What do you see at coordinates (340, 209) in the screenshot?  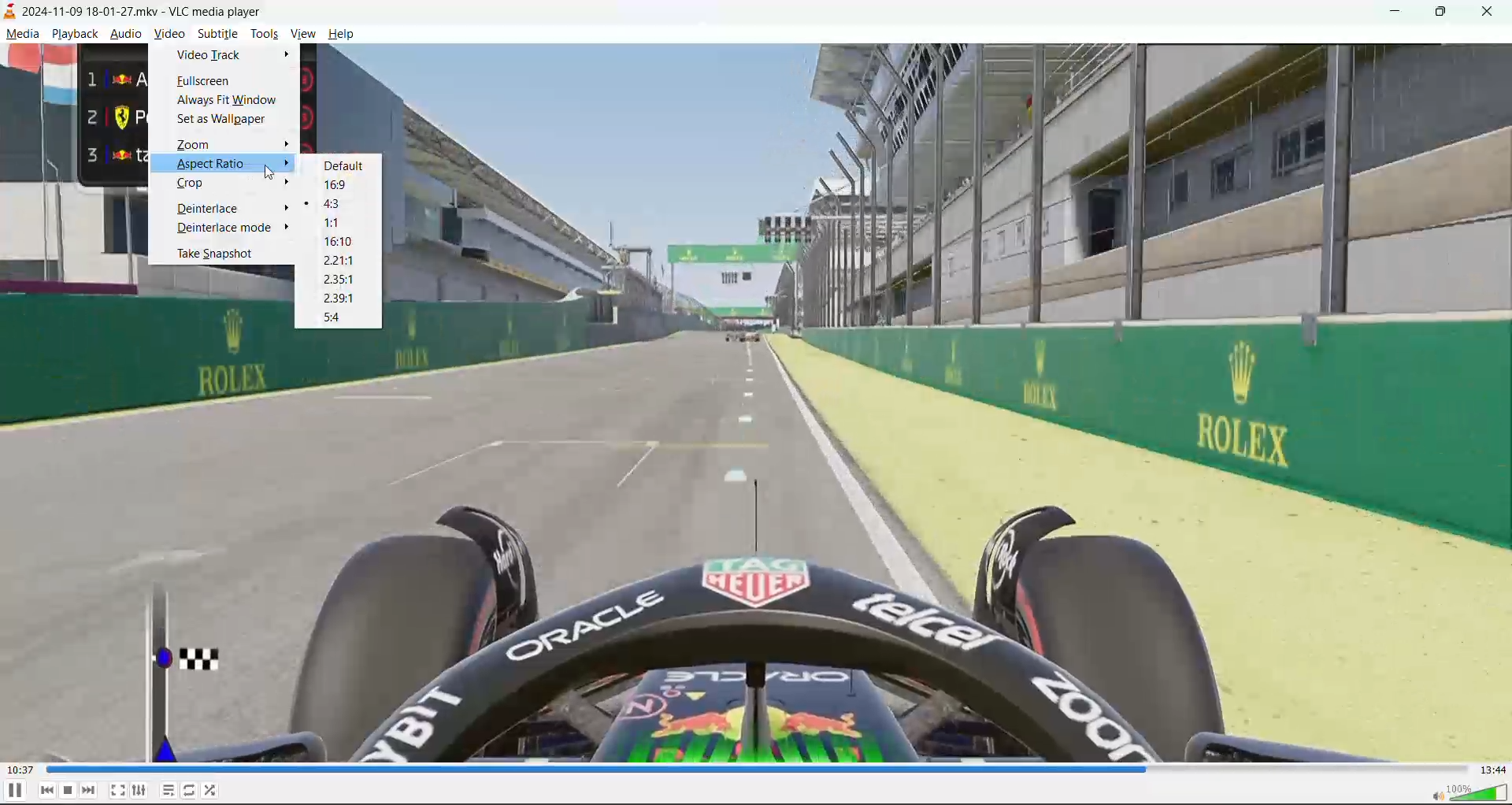 I see `4:3` at bounding box center [340, 209].